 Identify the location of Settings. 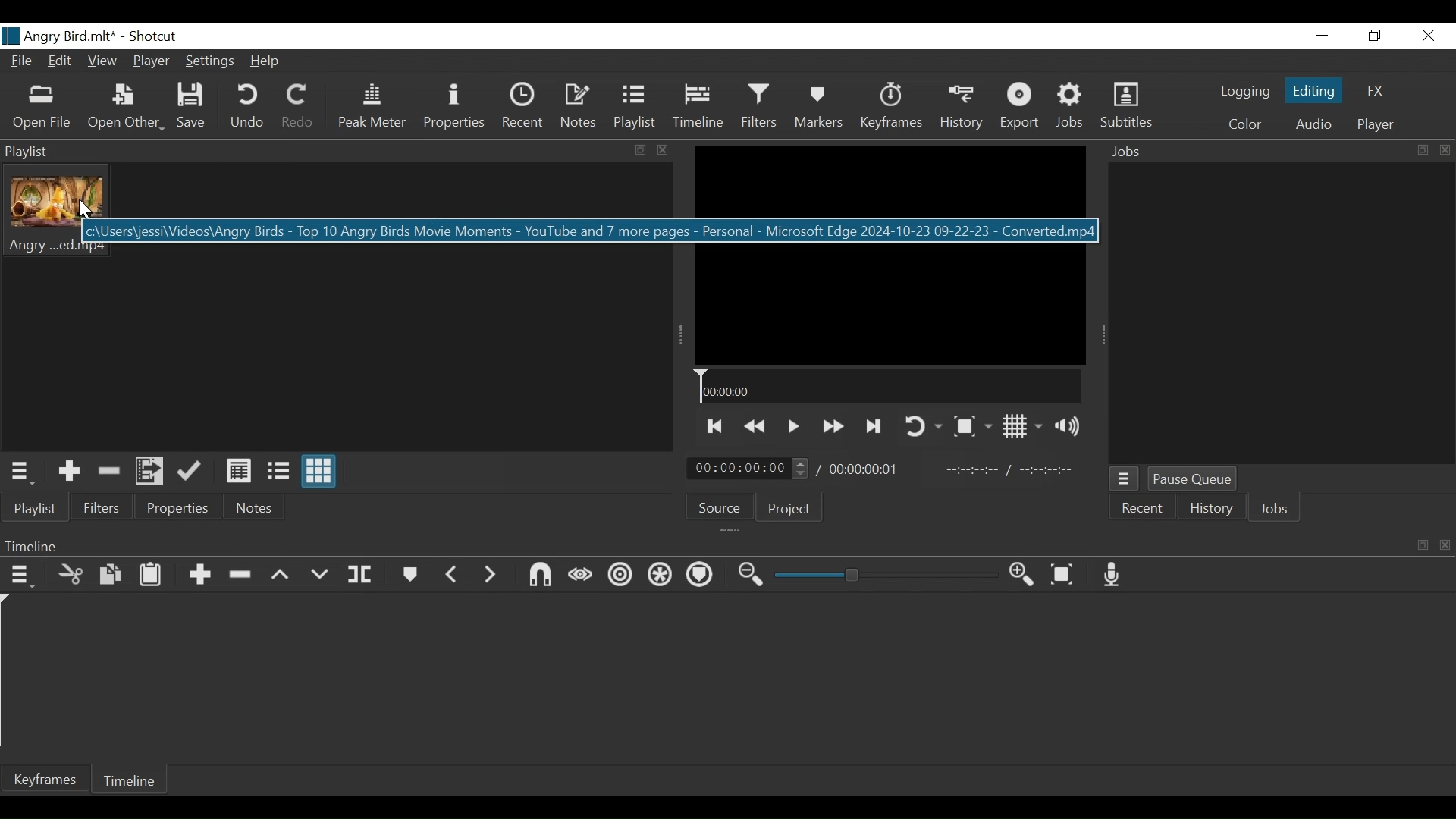
(209, 60).